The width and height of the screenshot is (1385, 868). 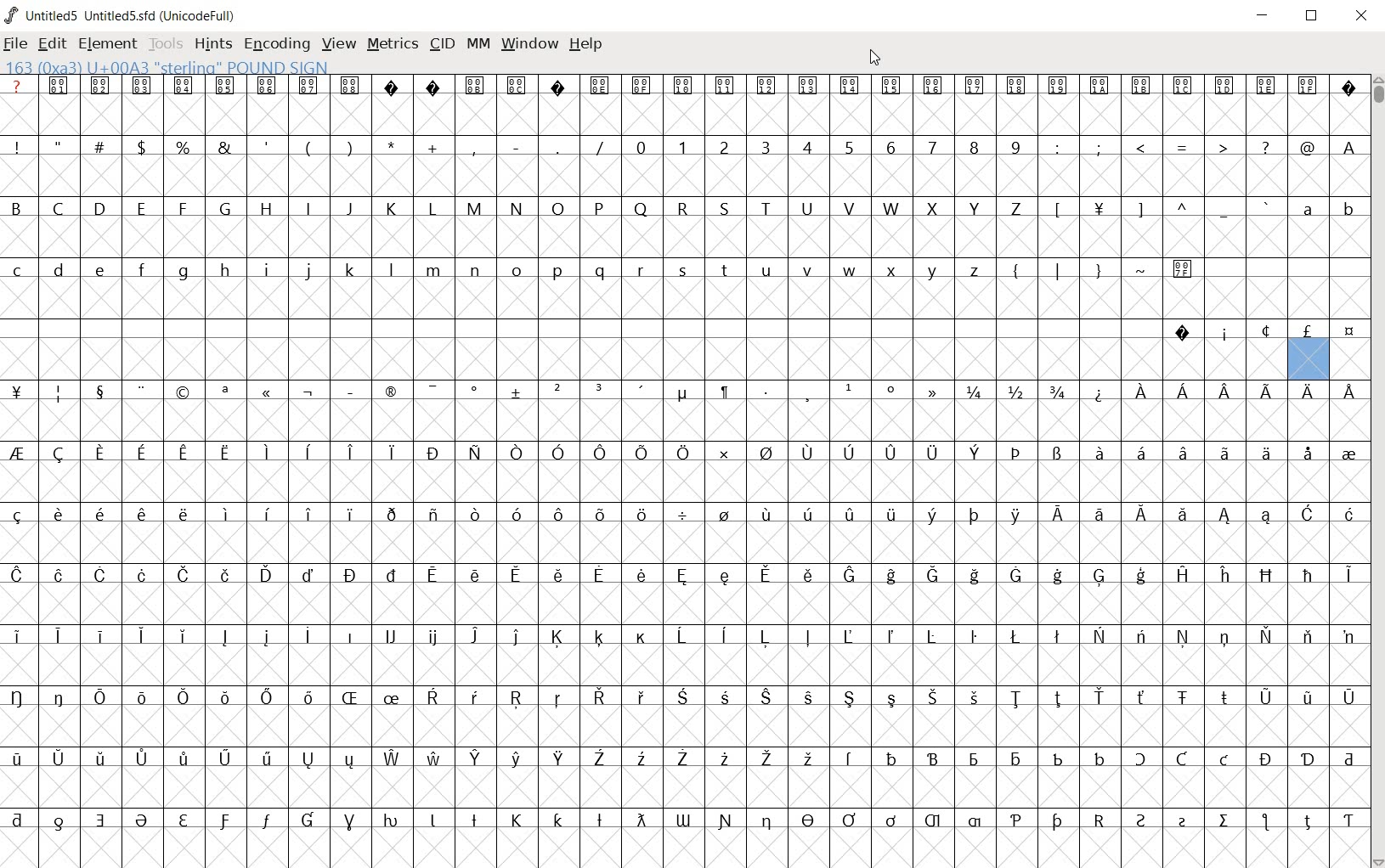 I want to click on minimize, so click(x=1266, y=17).